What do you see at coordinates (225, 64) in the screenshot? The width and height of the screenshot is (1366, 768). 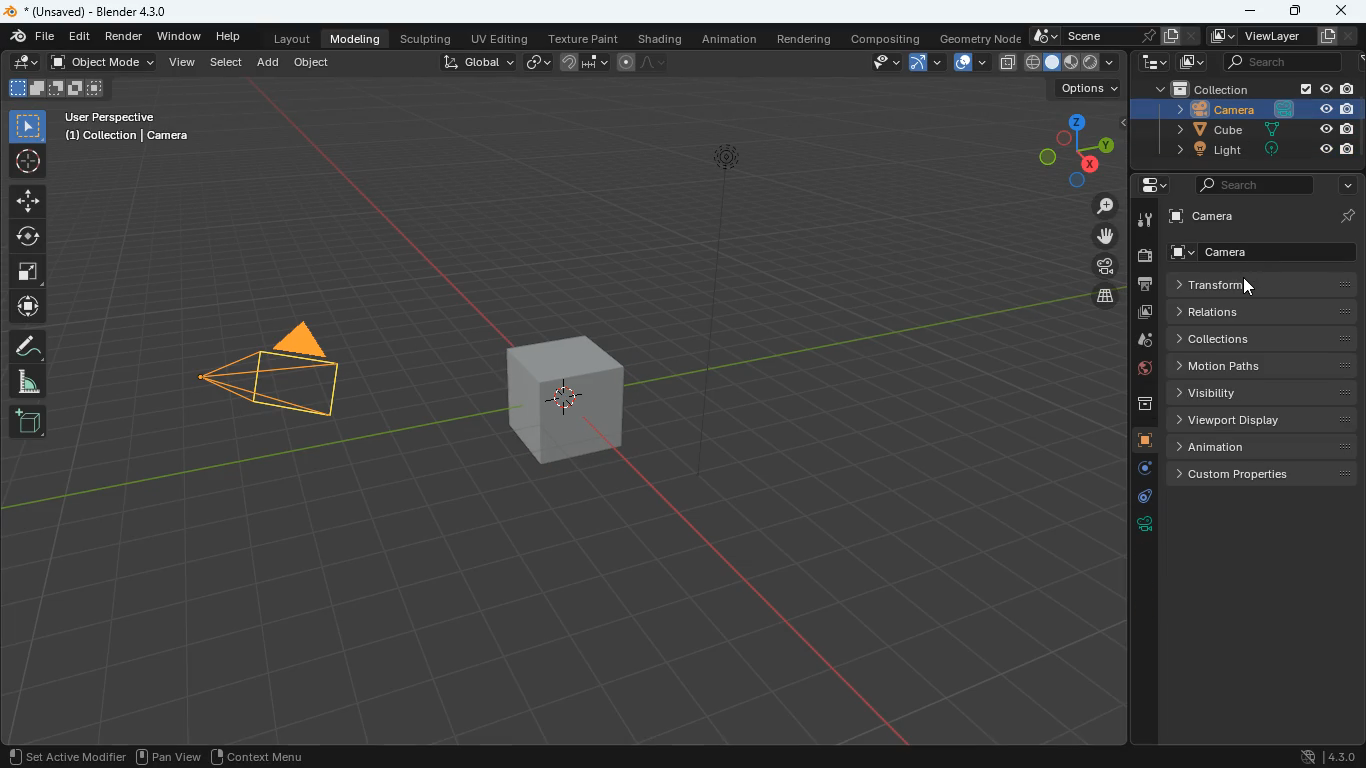 I see `select` at bounding box center [225, 64].